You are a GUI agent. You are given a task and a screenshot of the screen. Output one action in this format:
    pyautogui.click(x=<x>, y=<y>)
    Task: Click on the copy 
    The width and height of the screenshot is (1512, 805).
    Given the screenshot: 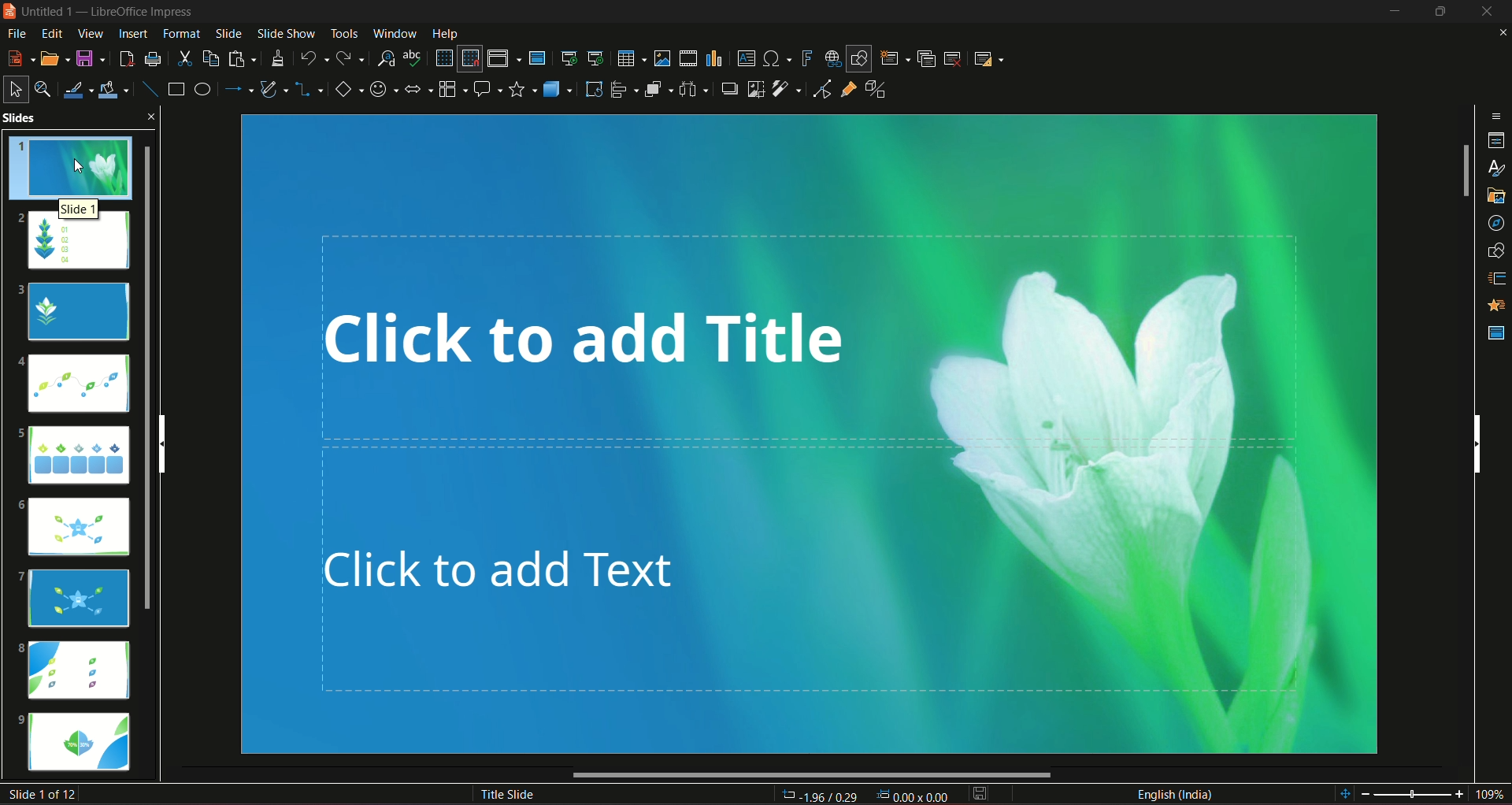 What is the action you would take?
    pyautogui.click(x=209, y=57)
    